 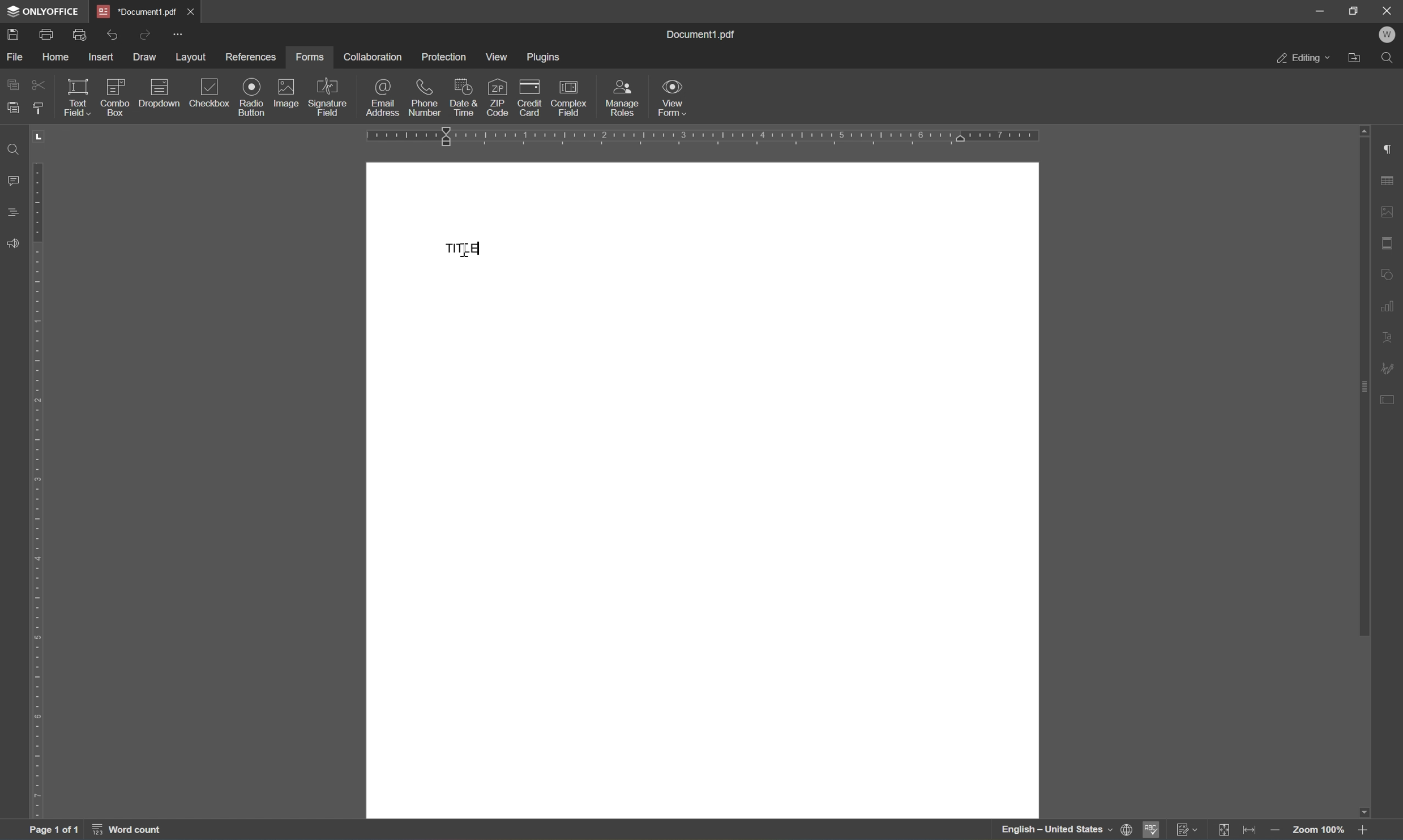 What do you see at coordinates (529, 96) in the screenshot?
I see `credit card` at bounding box center [529, 96].